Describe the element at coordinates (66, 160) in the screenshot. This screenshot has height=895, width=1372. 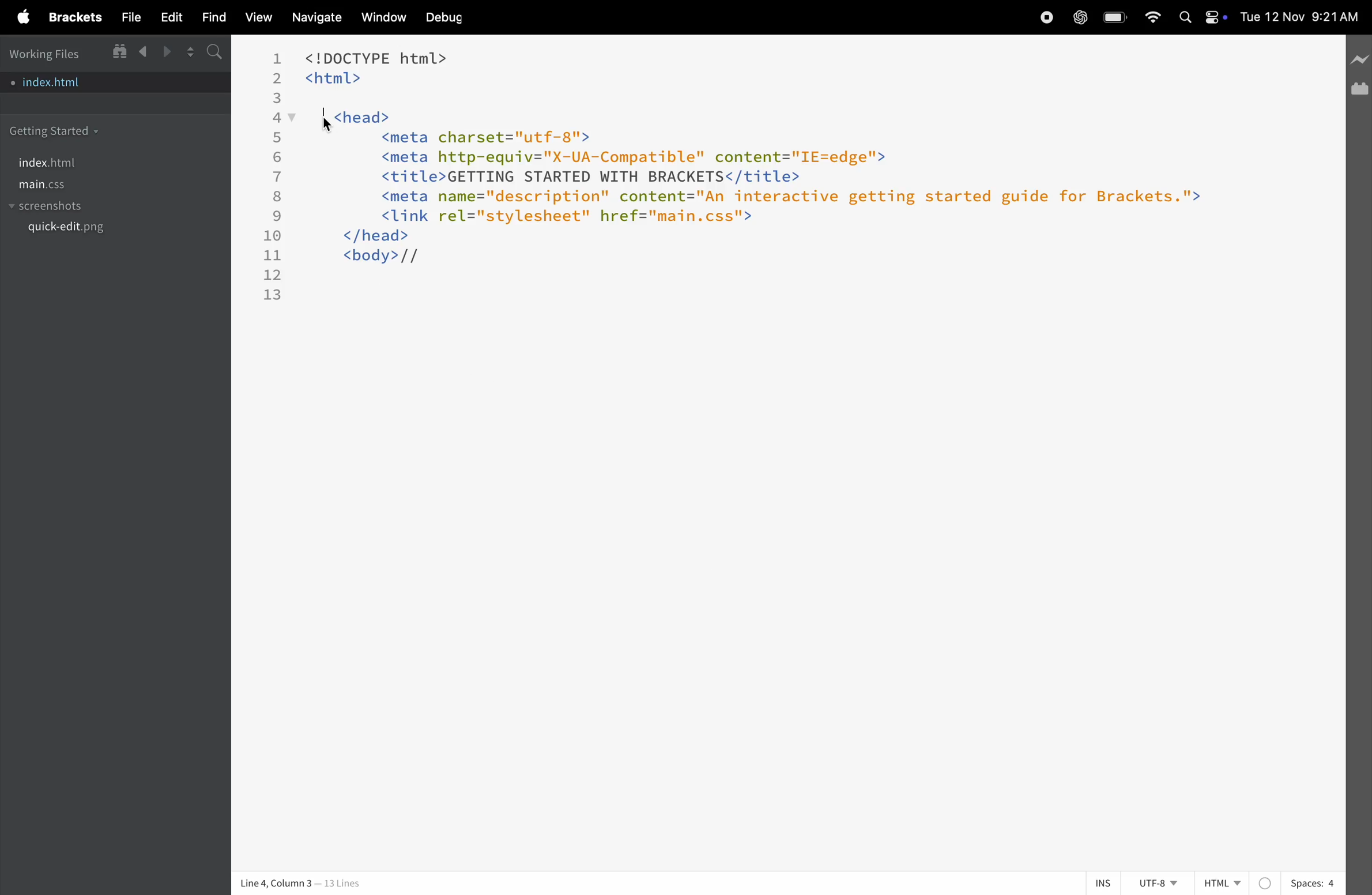
I see `index.html` at that location.